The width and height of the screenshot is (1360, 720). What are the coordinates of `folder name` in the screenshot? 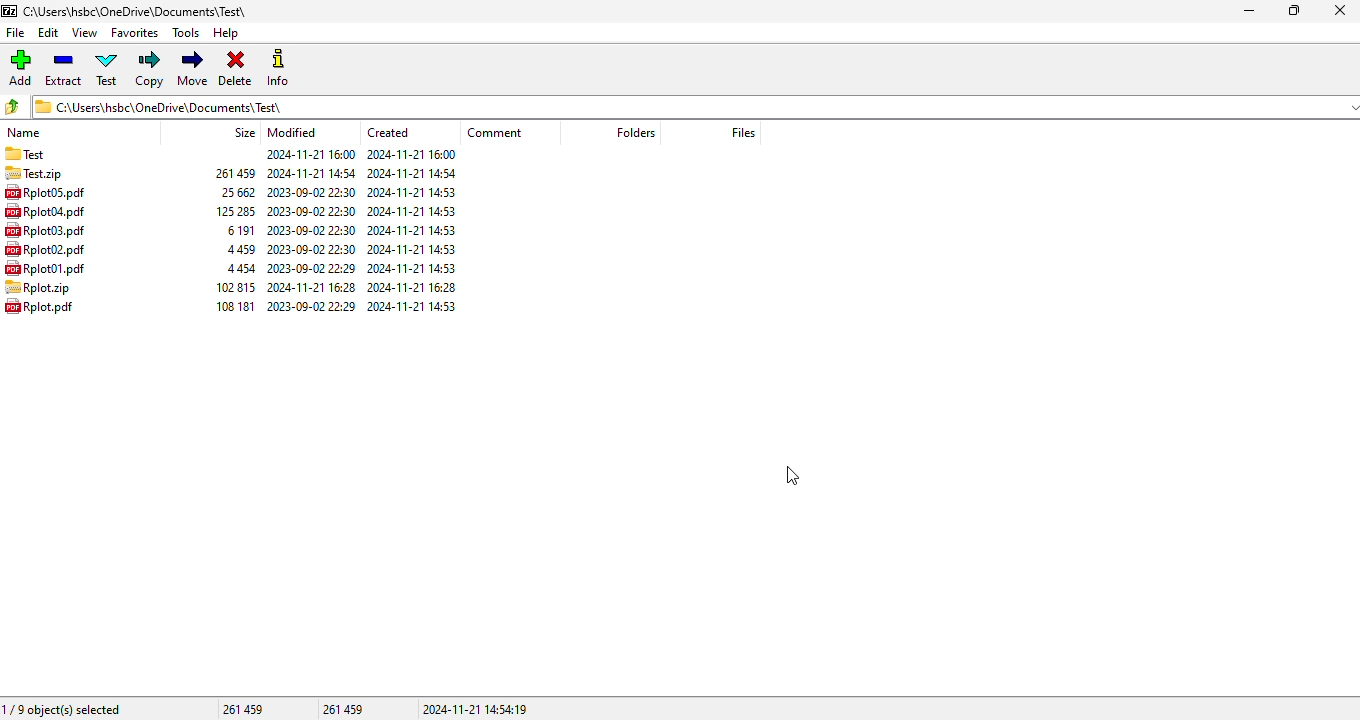 It's located at (135, 11).